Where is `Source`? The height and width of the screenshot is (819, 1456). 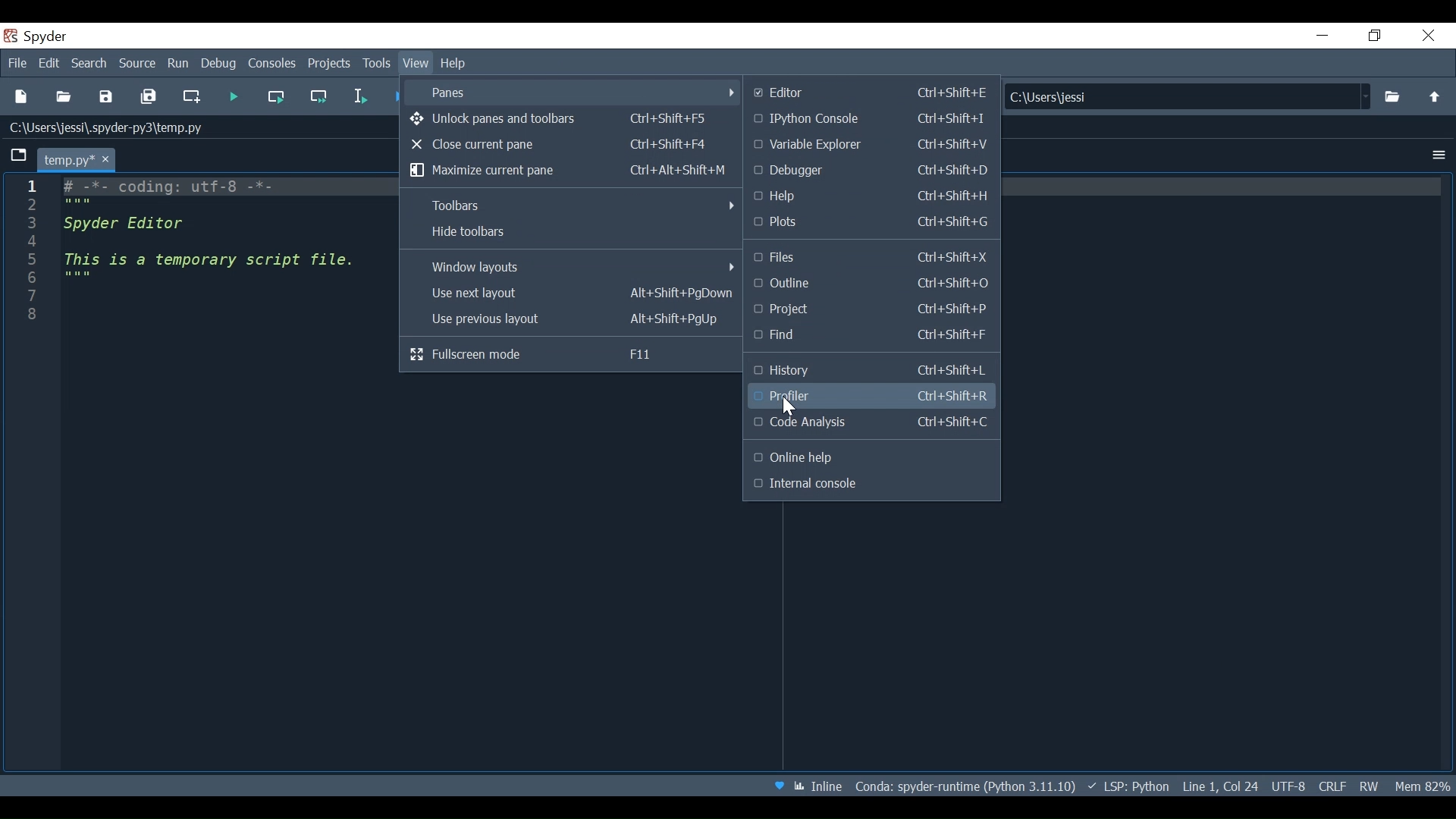
Source is located at coordinates (137, 64).